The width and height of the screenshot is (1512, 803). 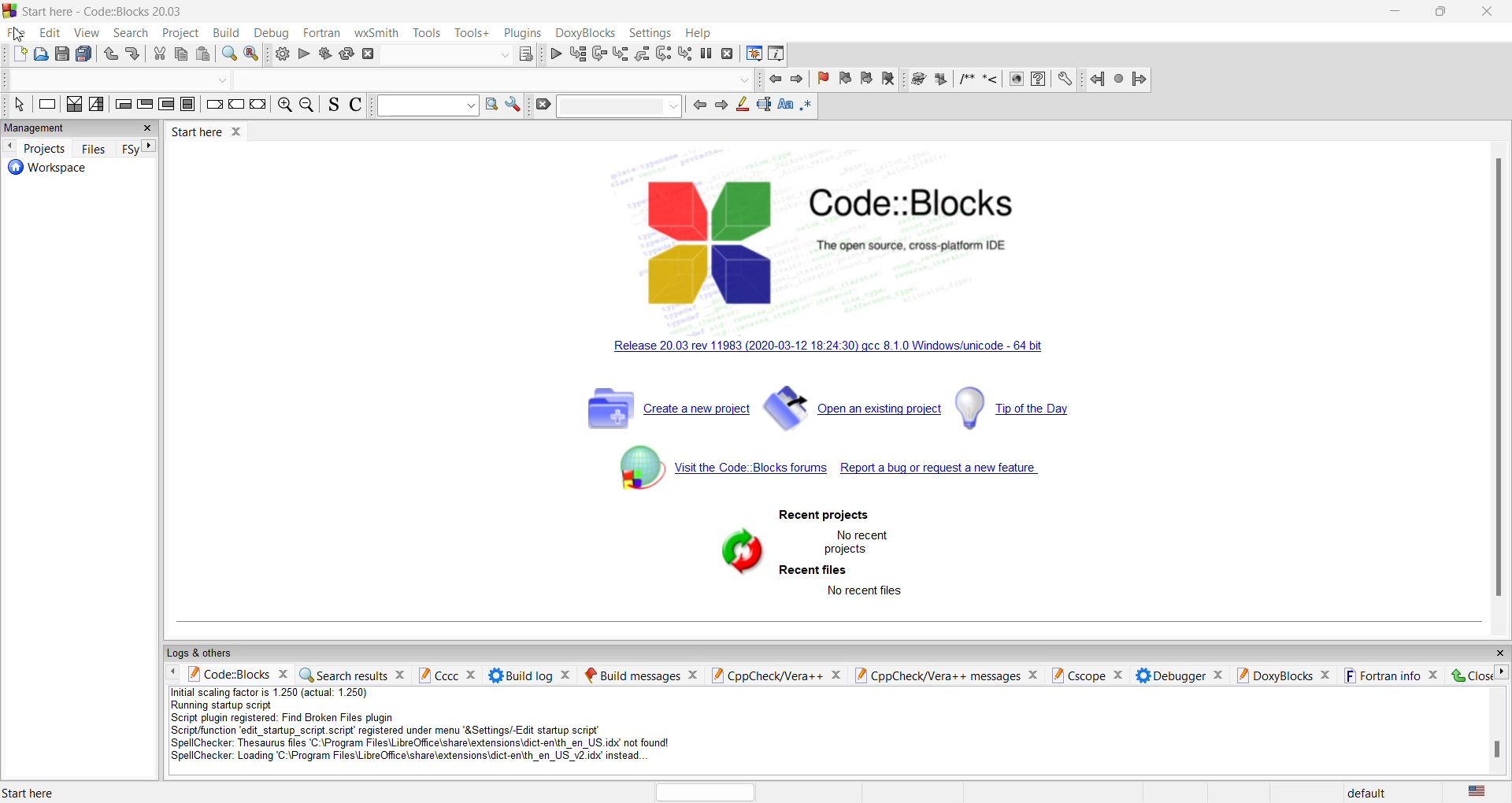 What do you see at coordinates (125, 107) in the screenshot?
I see `entry condition loop` at bounding box center [125, 107].